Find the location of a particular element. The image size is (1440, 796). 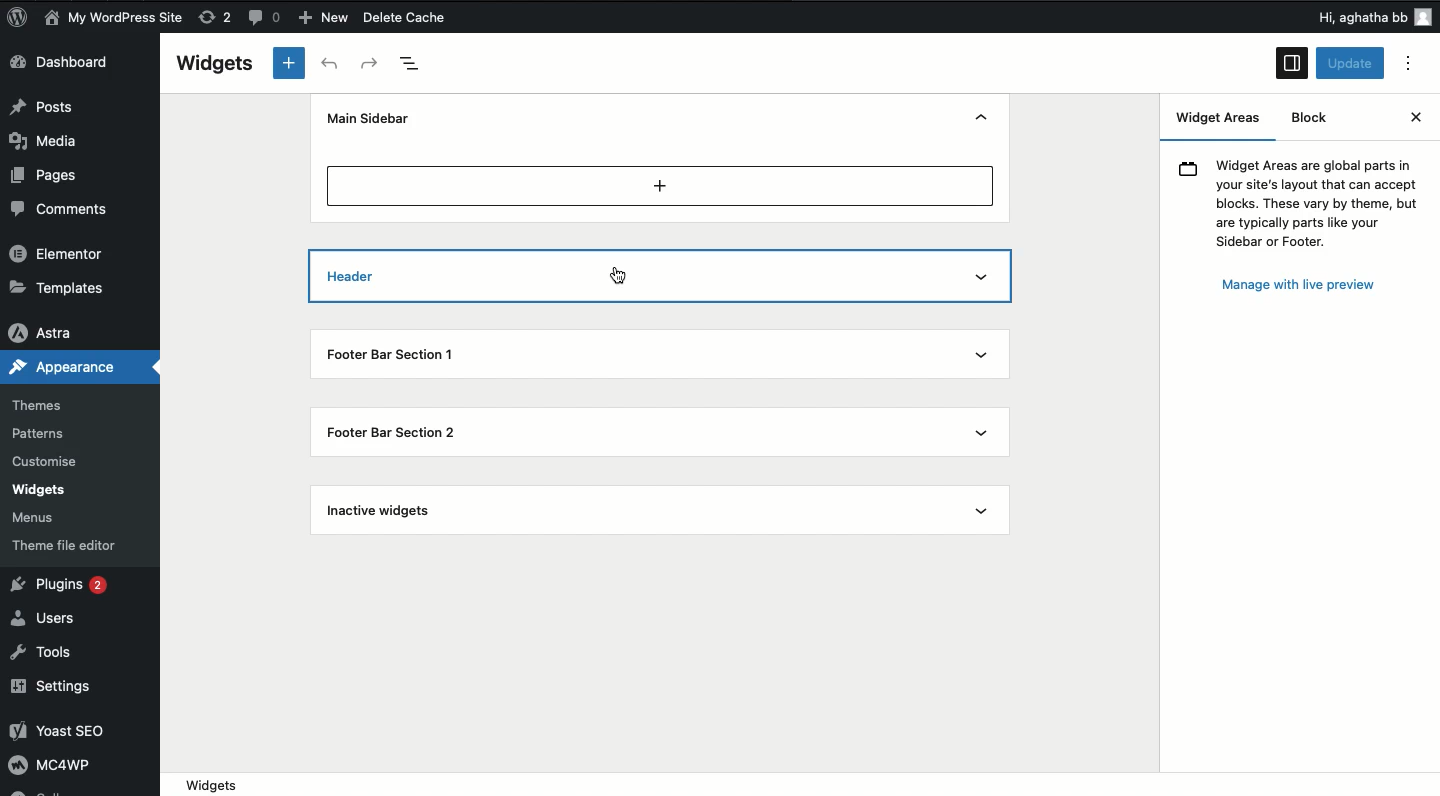

Hide is located at coordinates (985, 117).